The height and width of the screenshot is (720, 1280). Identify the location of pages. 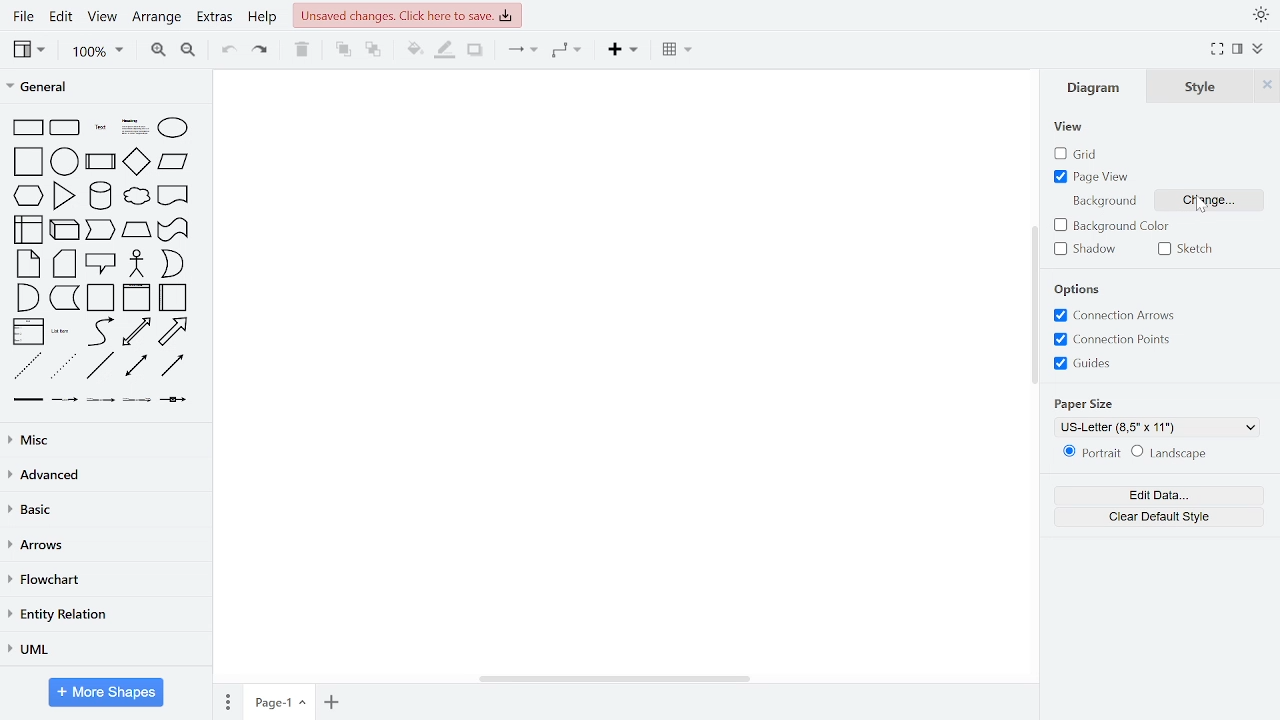
(226, 701).